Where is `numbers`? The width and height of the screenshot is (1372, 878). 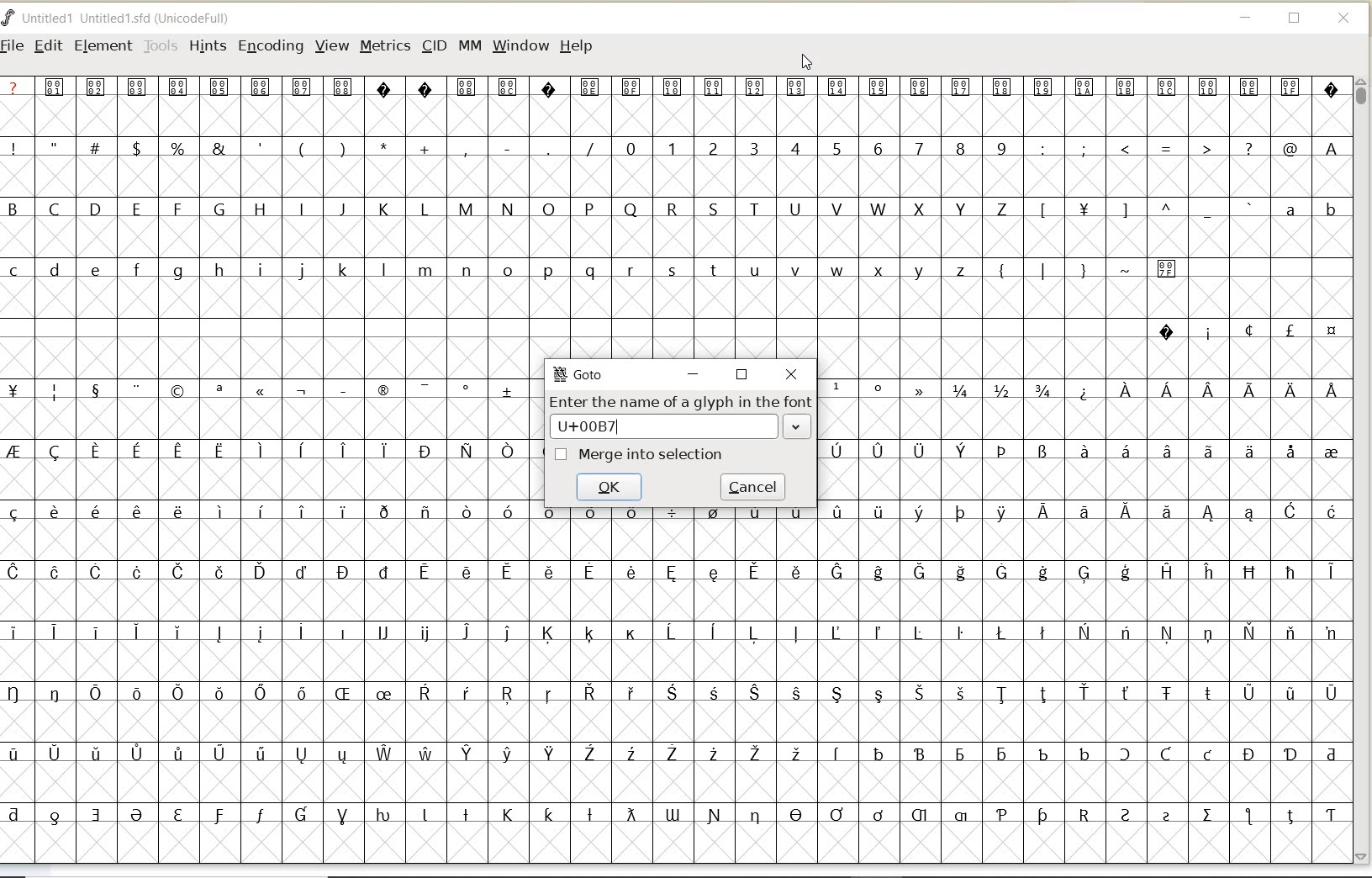
numbers is located at coordinates (812, 147).